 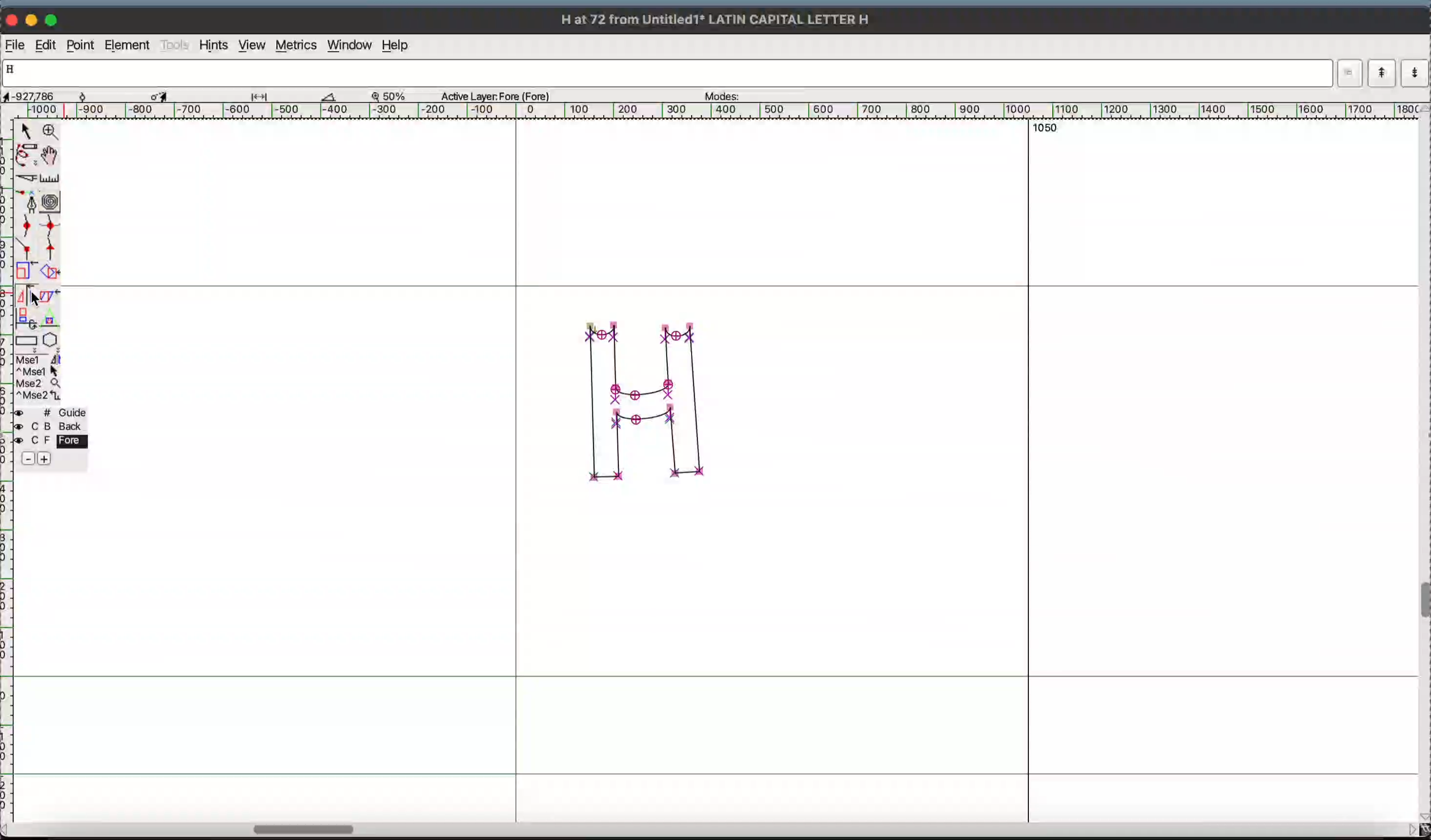 What do you see at coordinates (1422, 471) in the screenshot?
I see `vertical scrollbar` at bounding box center [1422, 471].